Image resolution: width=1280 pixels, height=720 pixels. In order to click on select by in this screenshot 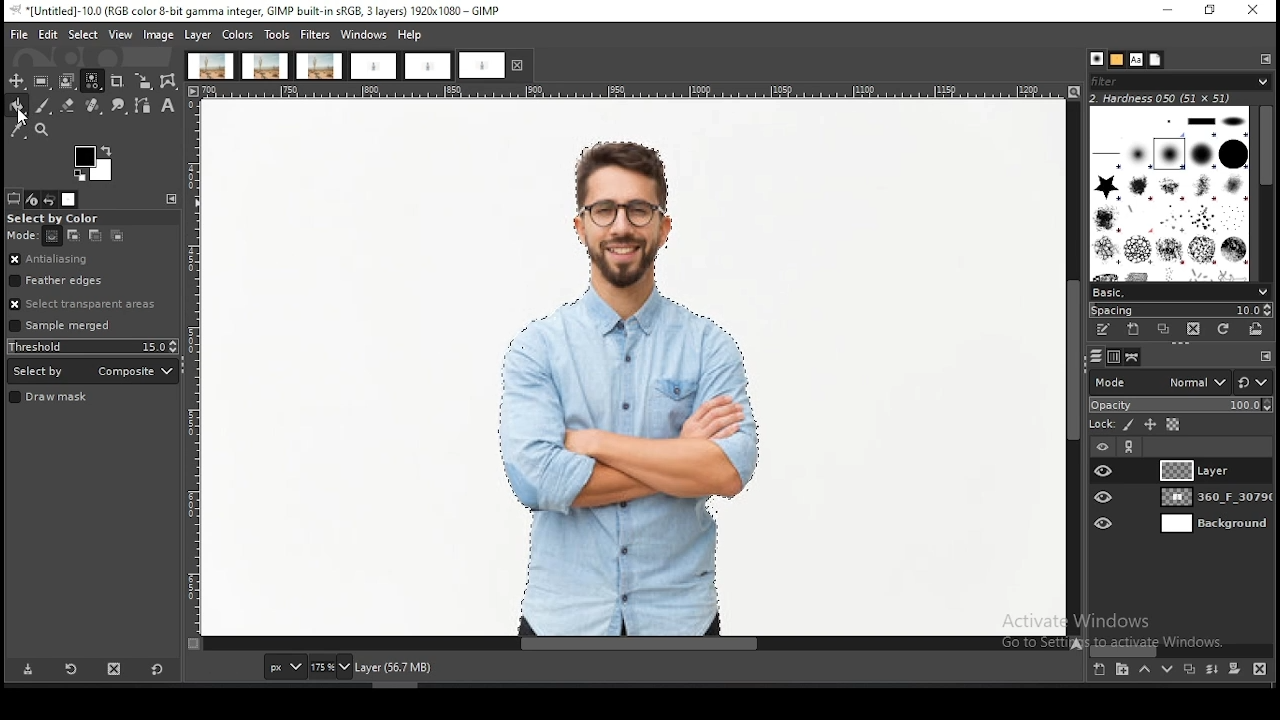, I will do `click(92, 372)`.